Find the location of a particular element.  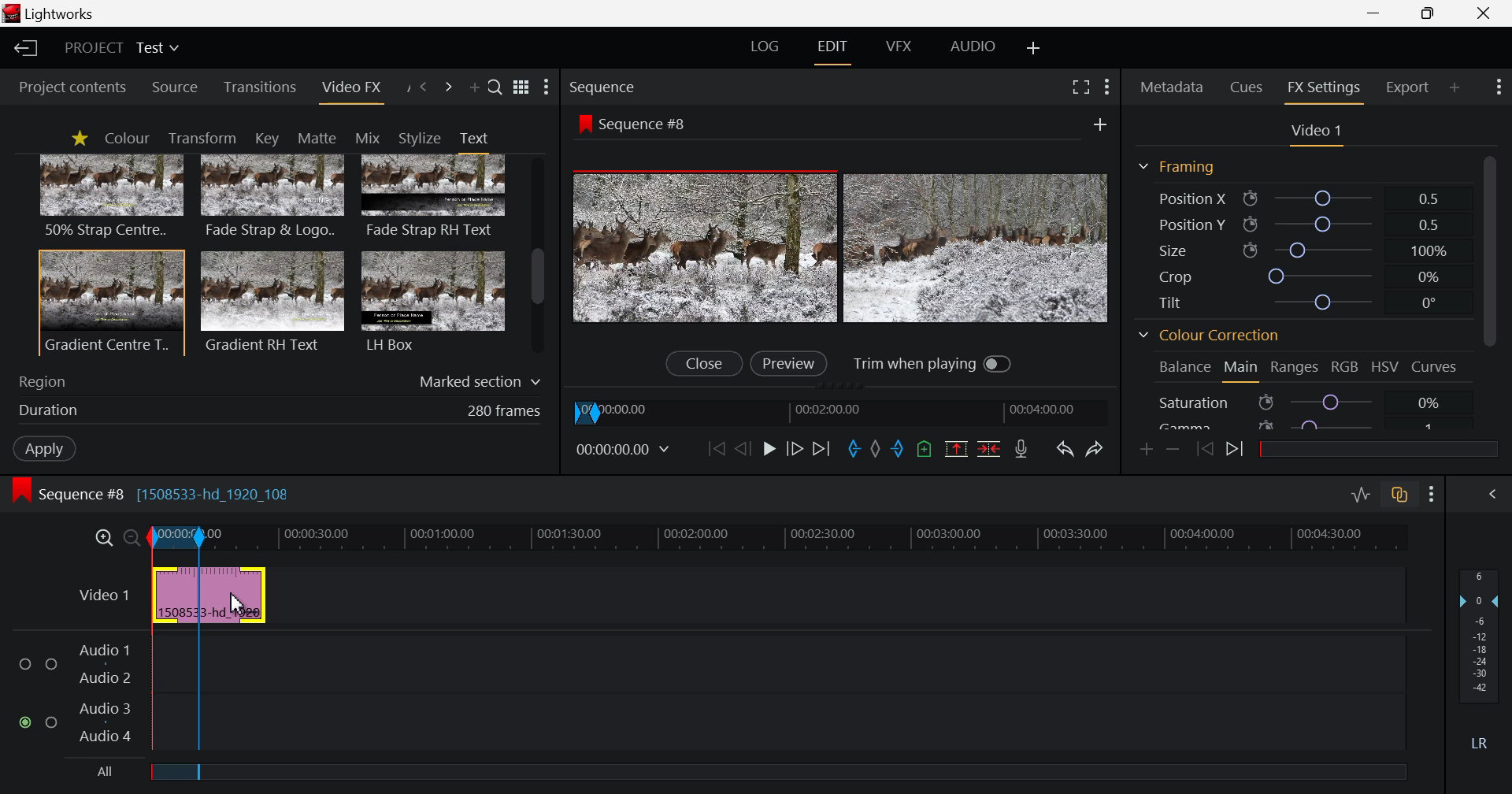

Mark Cue is located at coordinates (925, 450).